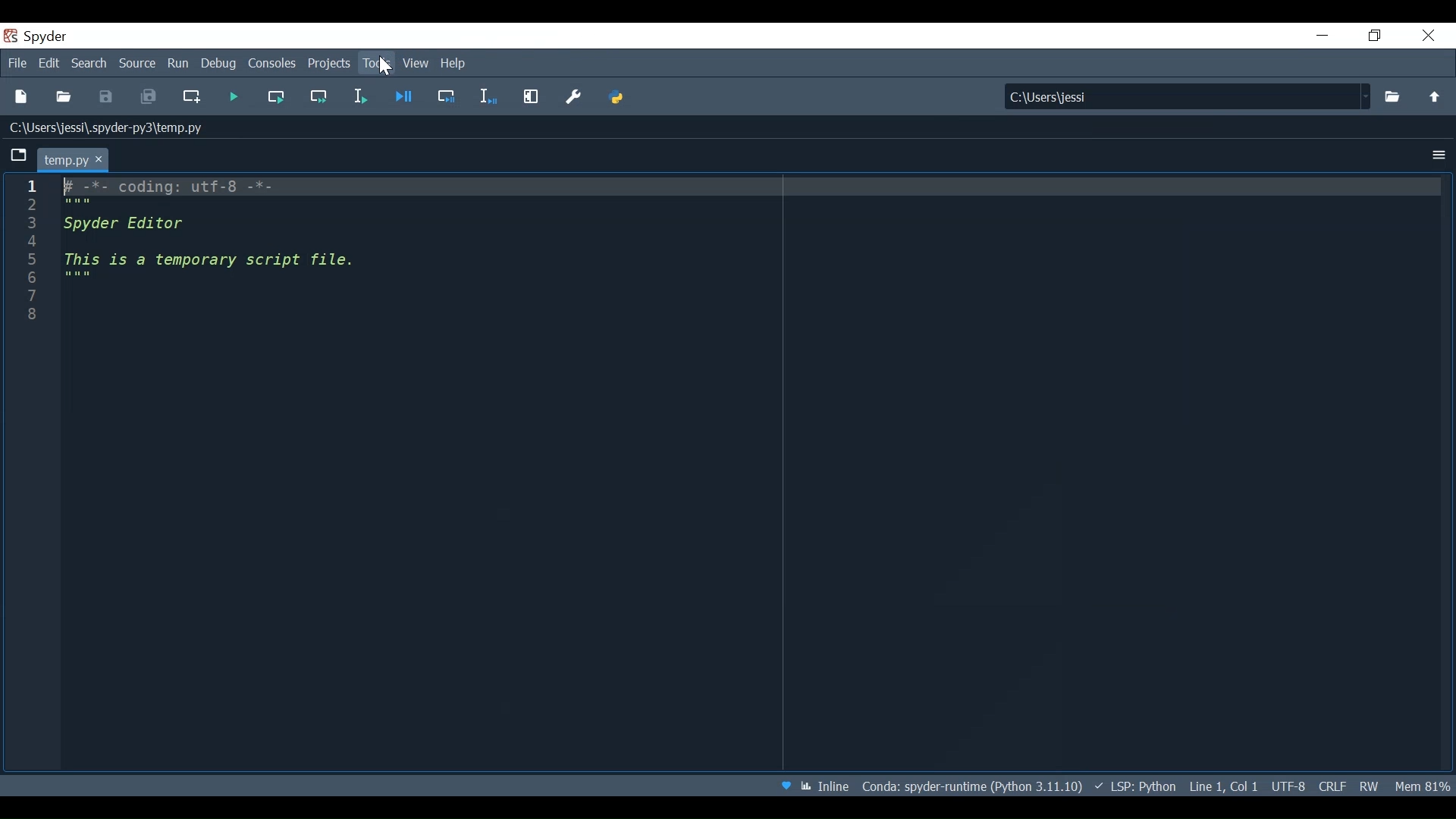 The height and width of the screenshot is (819, 1456). What do you see at coordinates (375, 64) in the screenshot?
I see `Tools` at bounding box center [375, 64].